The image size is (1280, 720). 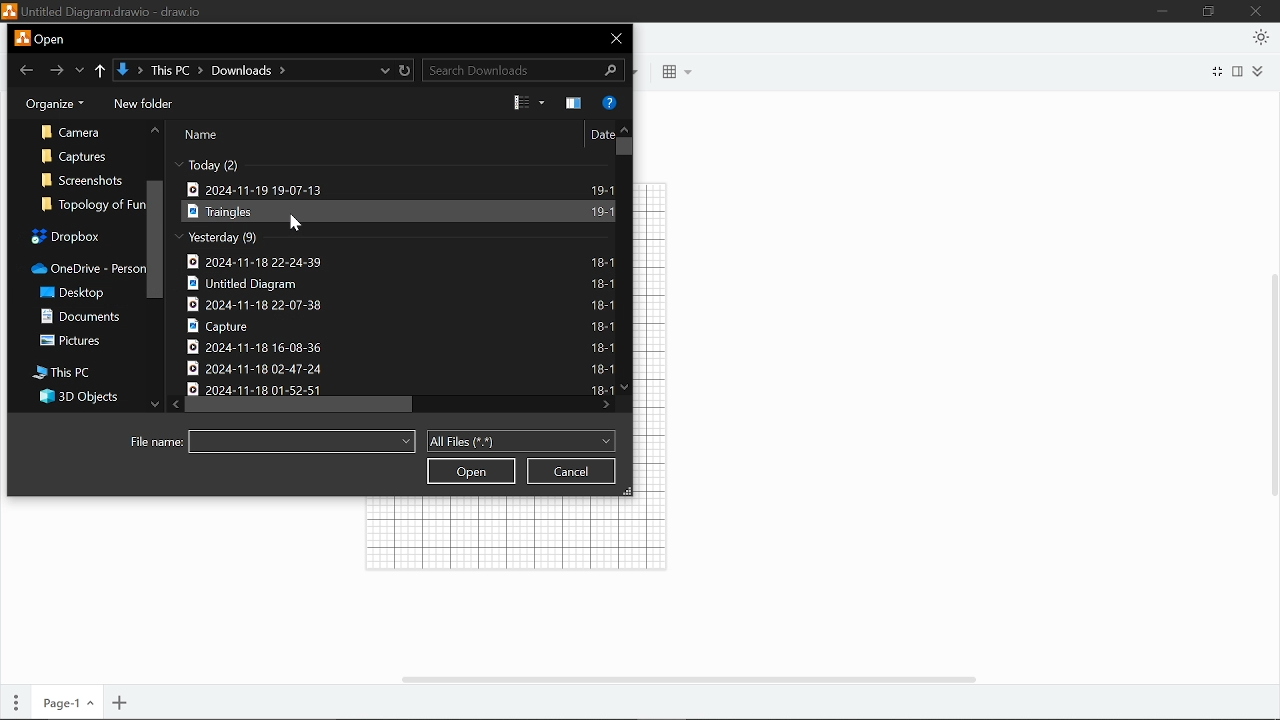 I want to click on Previous location, so click(x=79, y=69).